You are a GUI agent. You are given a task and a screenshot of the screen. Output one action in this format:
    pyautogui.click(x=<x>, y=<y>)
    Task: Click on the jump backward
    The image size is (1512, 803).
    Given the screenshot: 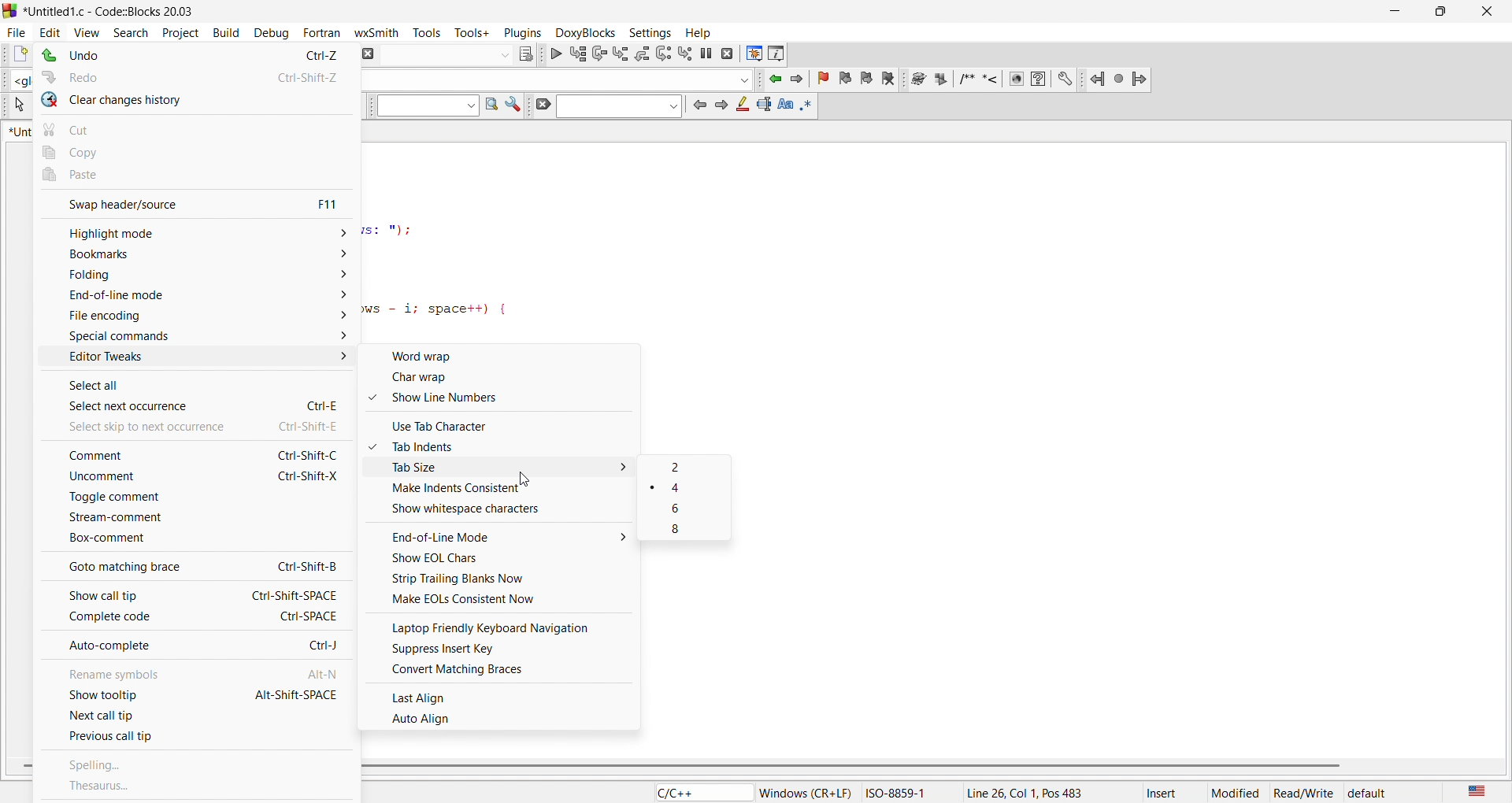 What is the action you would take?
    pyautogui.click(x=774, y=81)
    